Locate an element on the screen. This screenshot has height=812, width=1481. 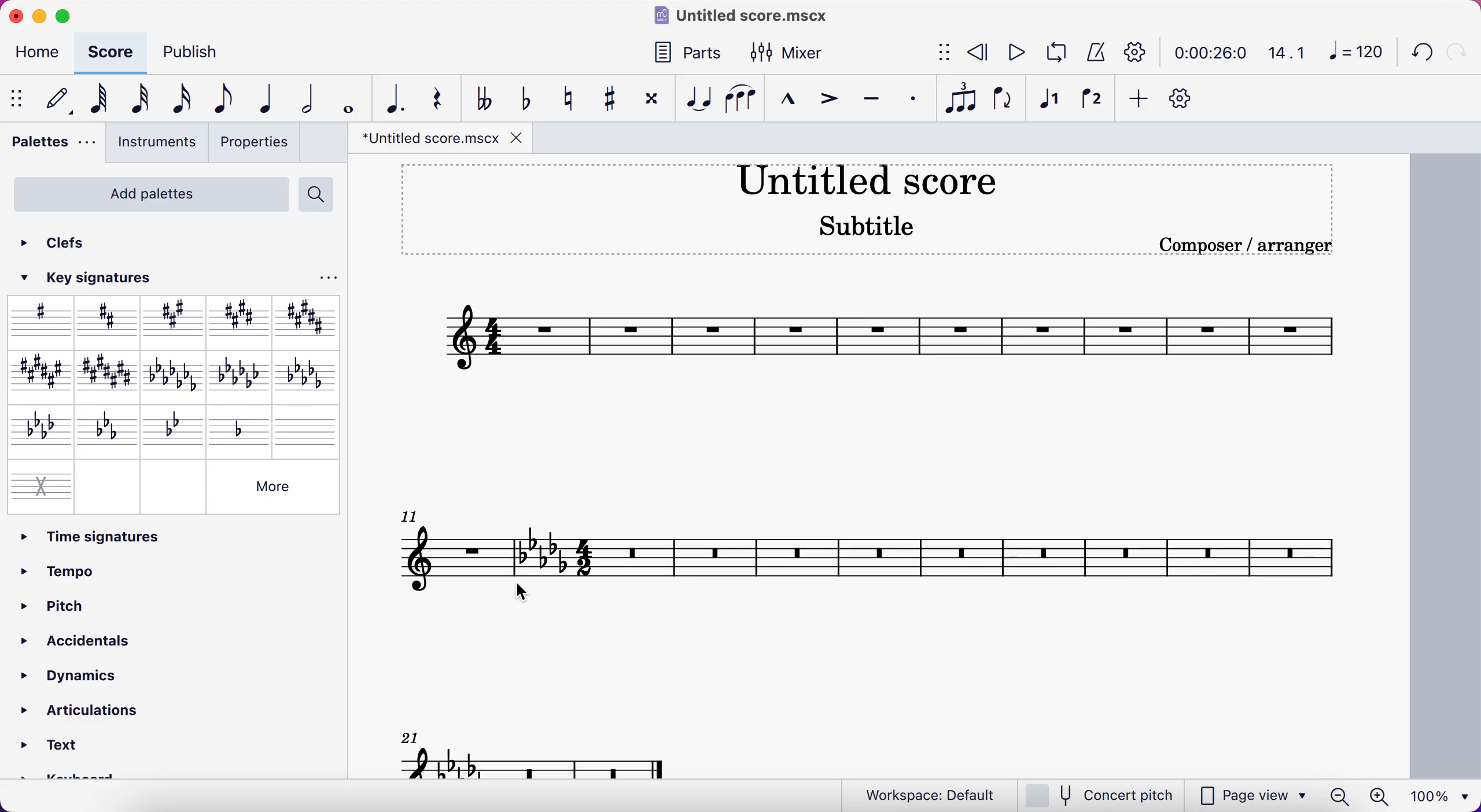
toggle doble sharp is located at coordinates (651, 99).